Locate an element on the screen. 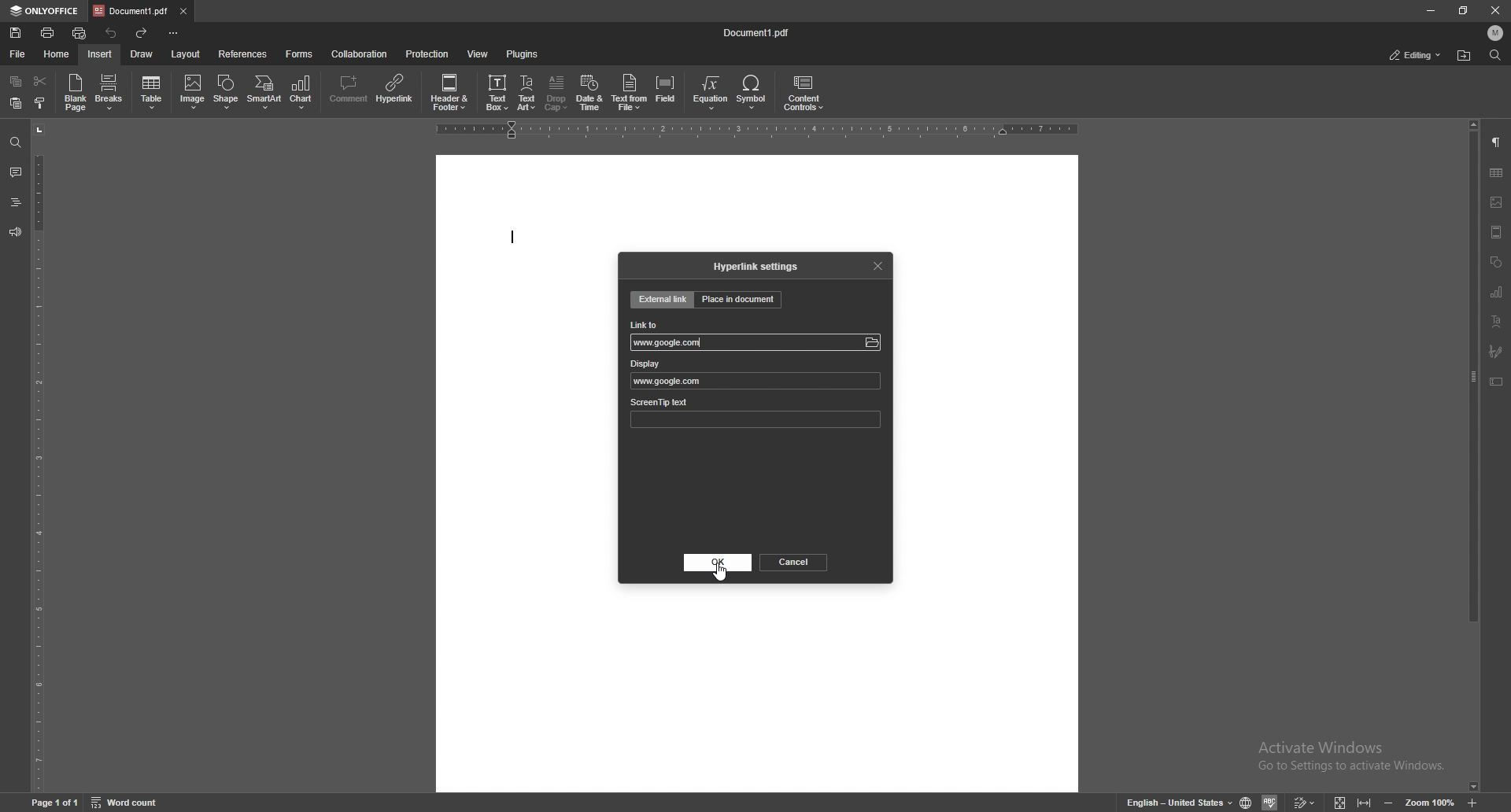 This screenshot has height=812, width=1511. configure toolbar is located at coordinates (174, 33).